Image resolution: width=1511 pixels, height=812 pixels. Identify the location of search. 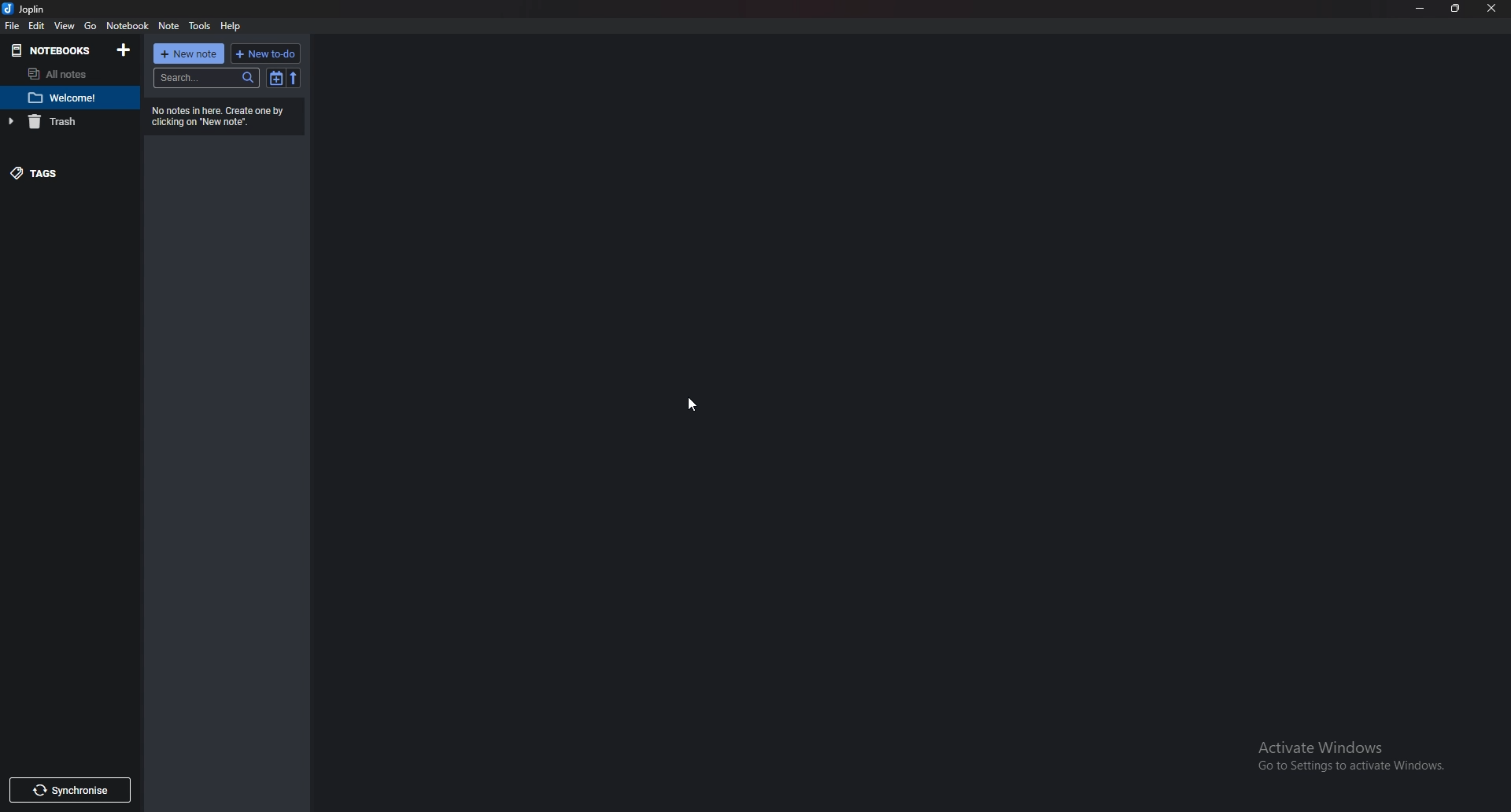
(205, 78).